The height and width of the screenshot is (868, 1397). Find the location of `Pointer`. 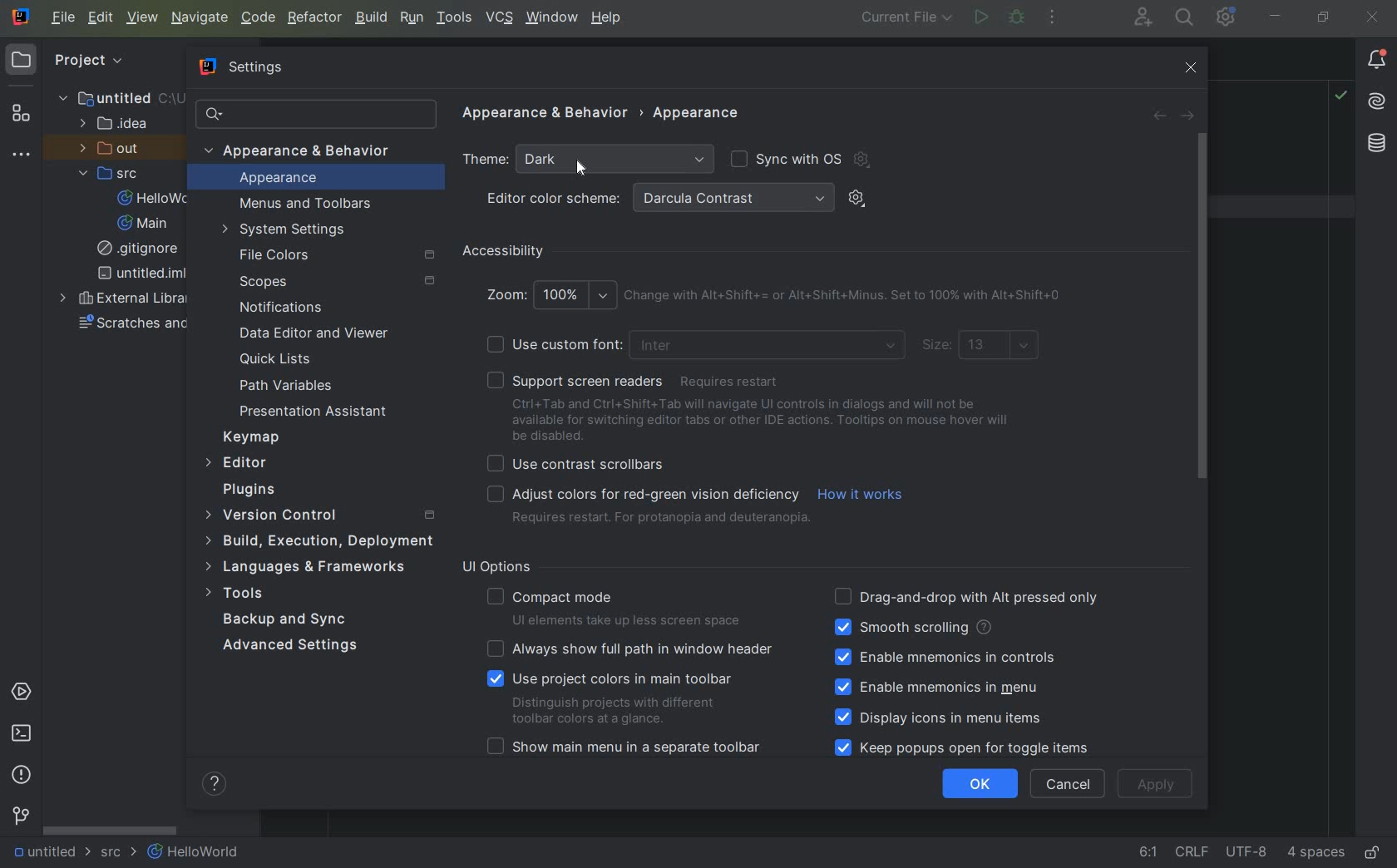

Pointer is located at coordinates (586, 170).